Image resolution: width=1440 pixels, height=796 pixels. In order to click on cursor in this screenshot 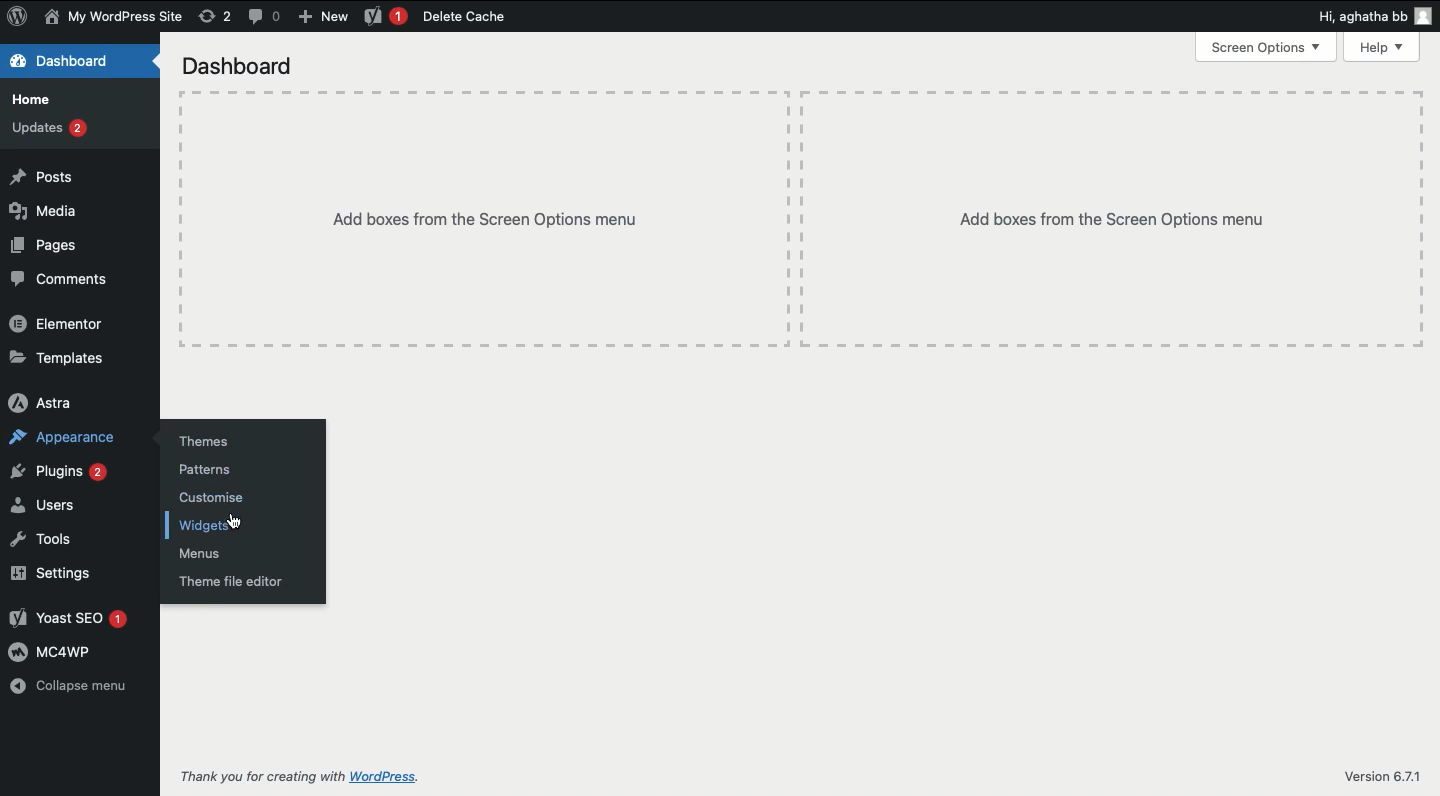, I will do `click(240, 520)`.